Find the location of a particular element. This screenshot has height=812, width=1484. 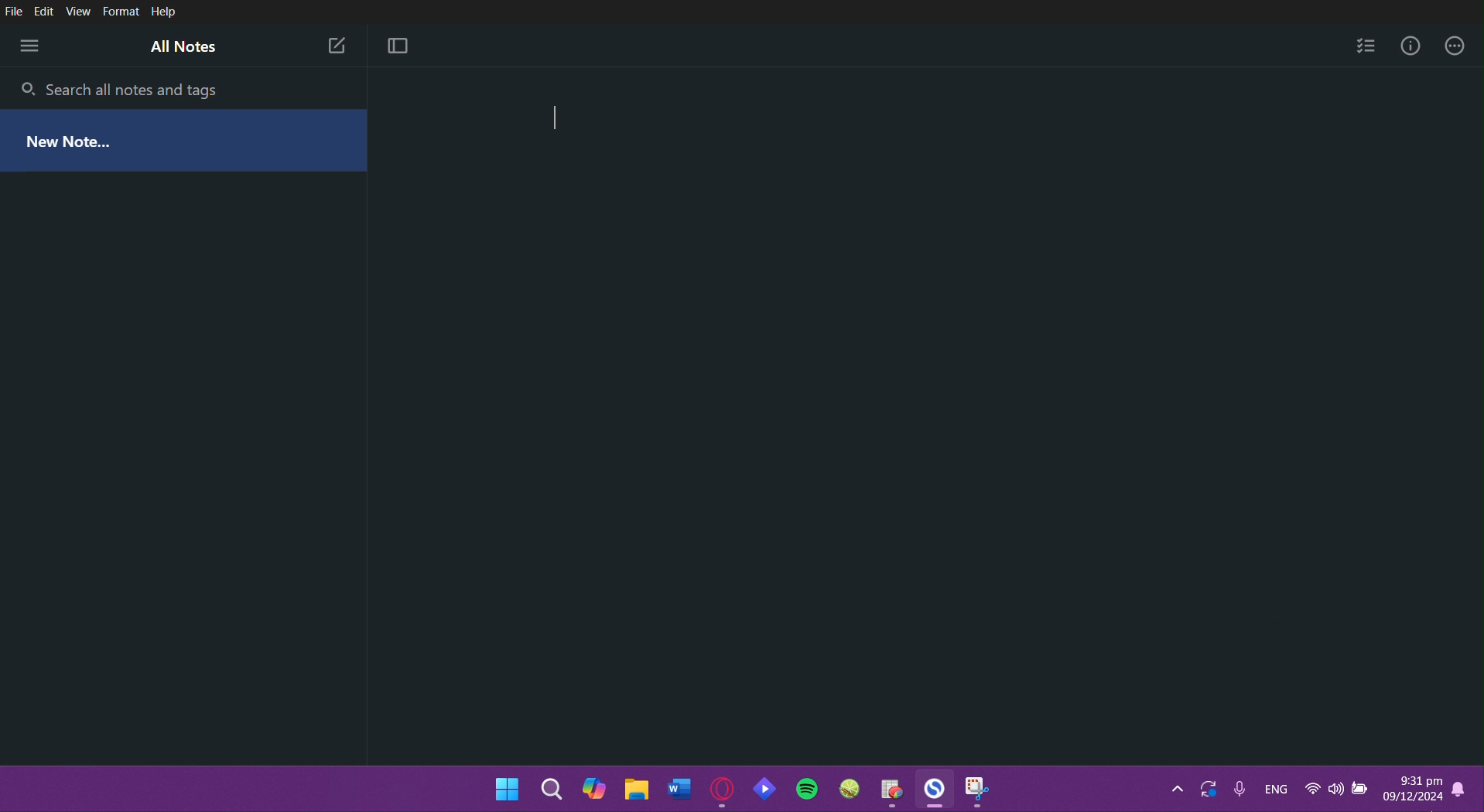

search is located at coordinates (554, 787).